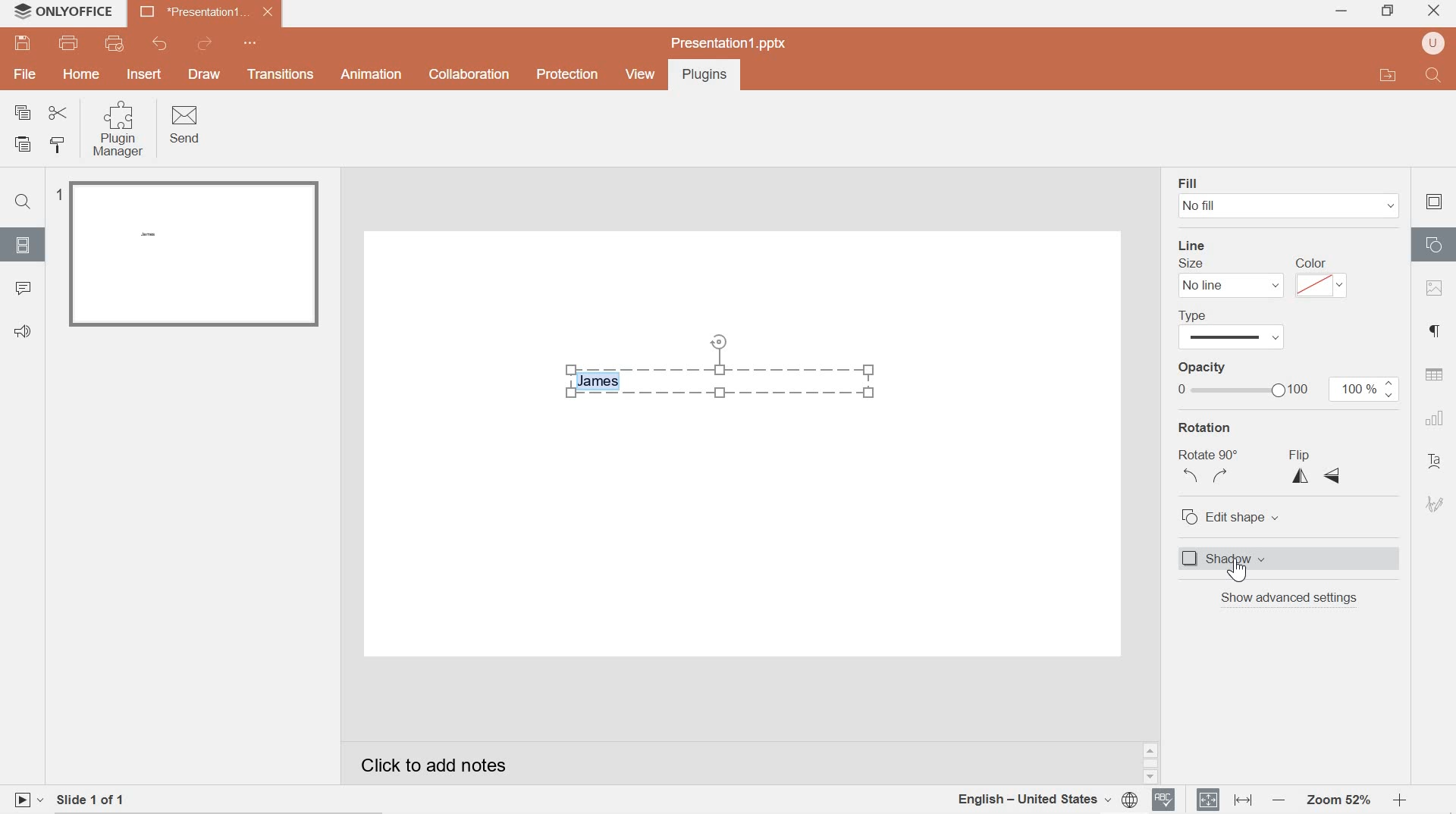 This screenshot has height=814, width=1456. Describe the element at coordinates (1436, 290) in the screenshot. I see `image` at that location.